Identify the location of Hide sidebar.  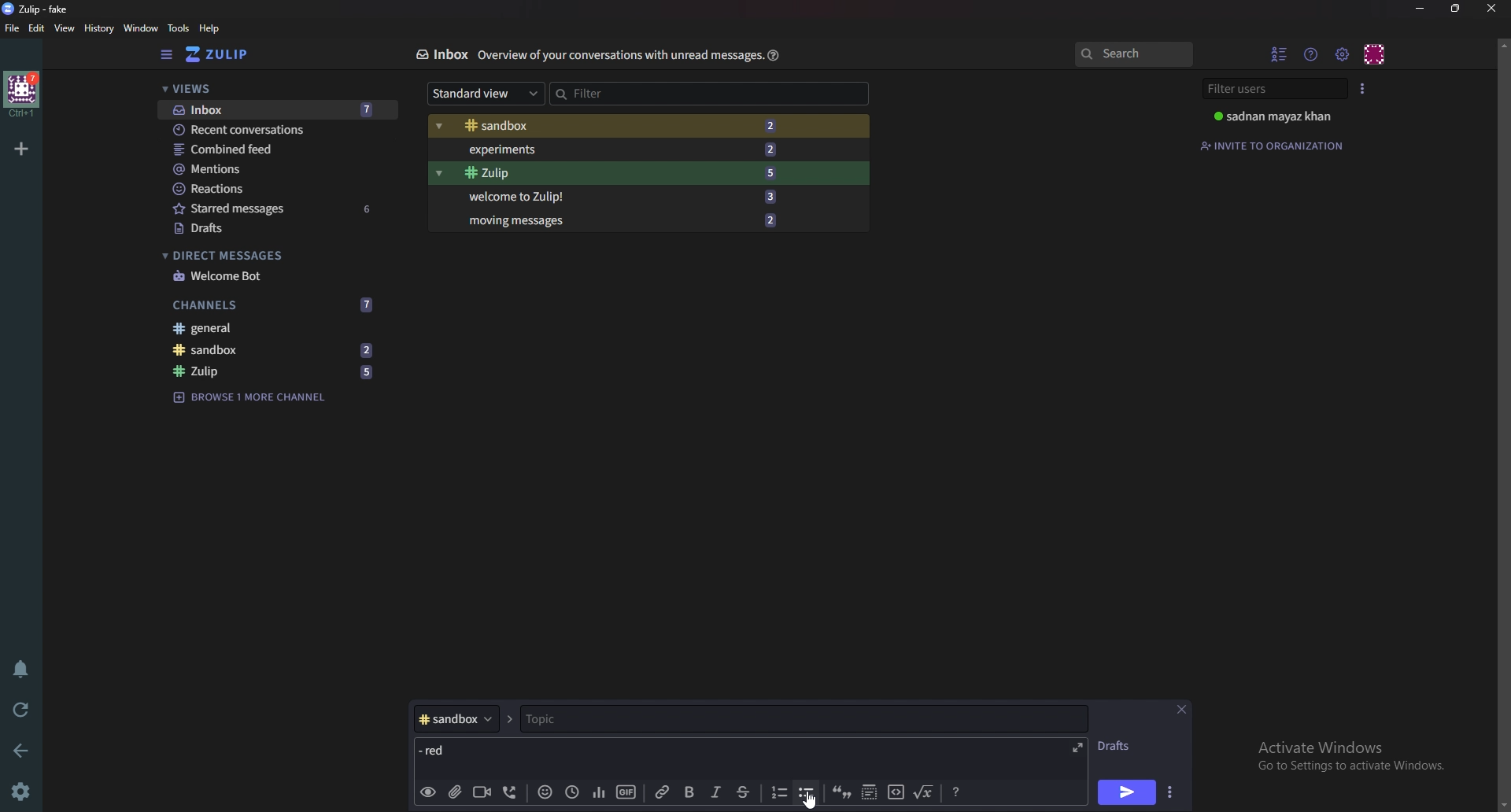
(168, 54).